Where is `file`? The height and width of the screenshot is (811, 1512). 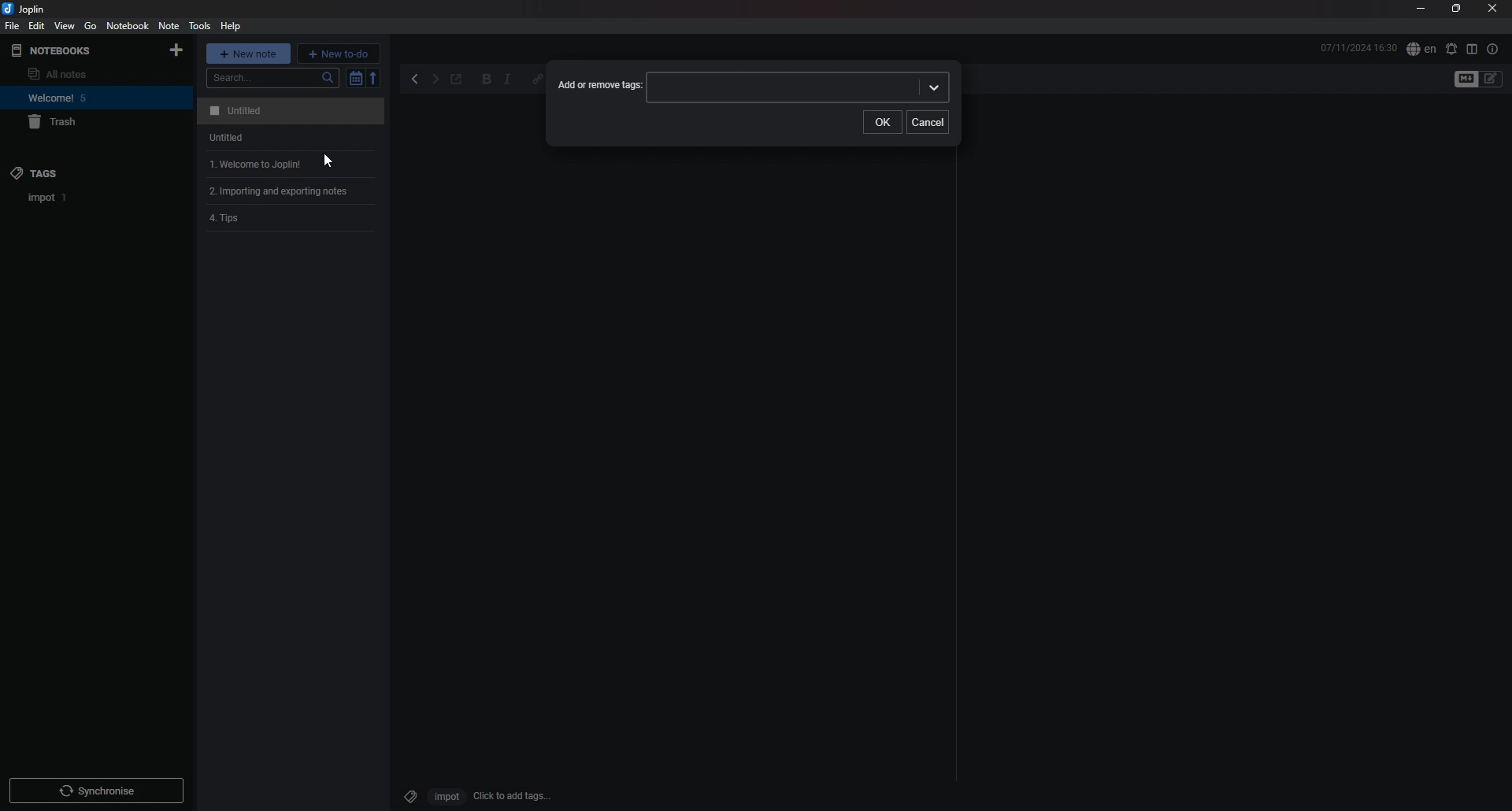
file is located at coordinates (13, 26).